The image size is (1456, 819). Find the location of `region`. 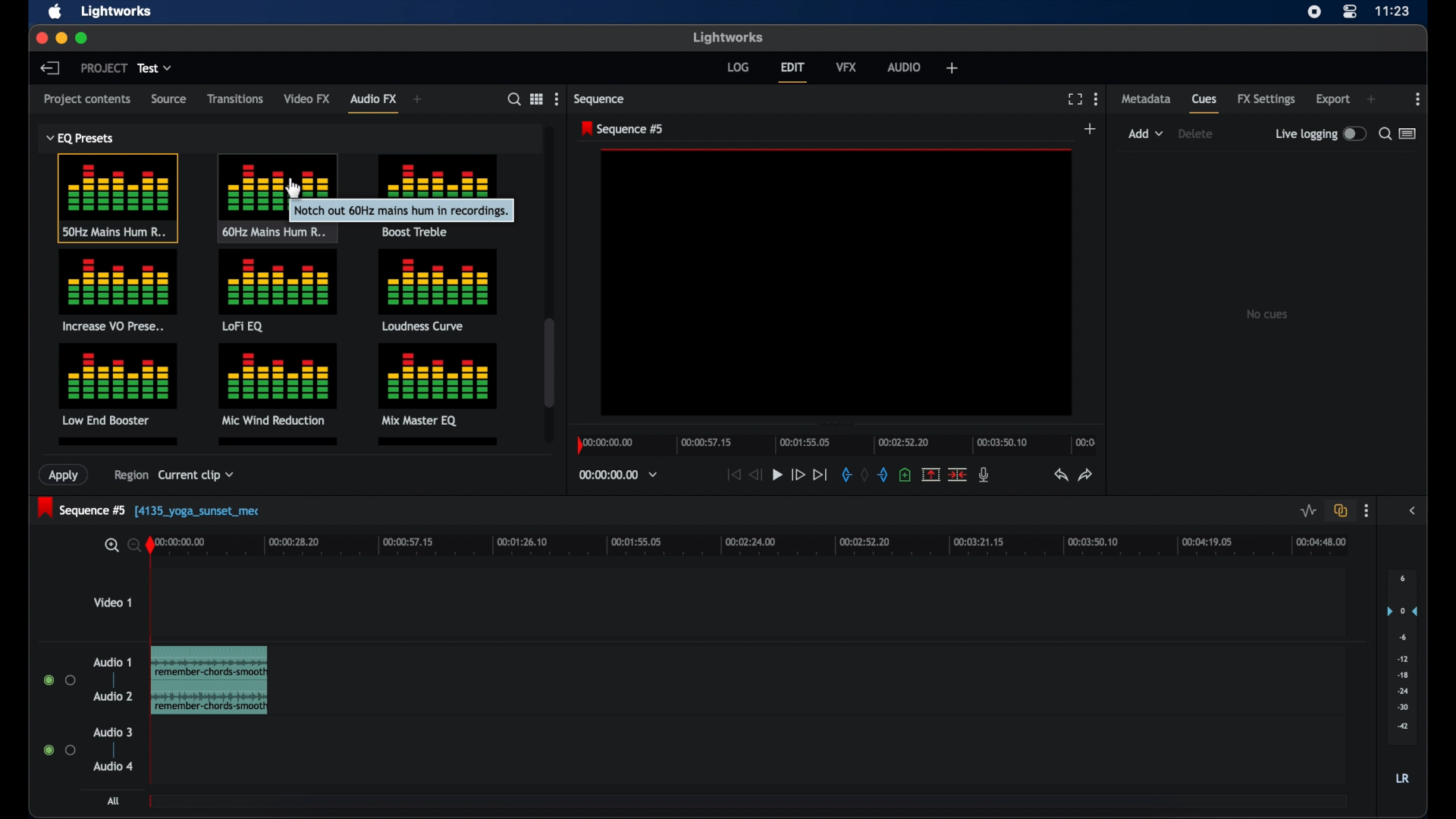

region is located at coordinates (126, 478).